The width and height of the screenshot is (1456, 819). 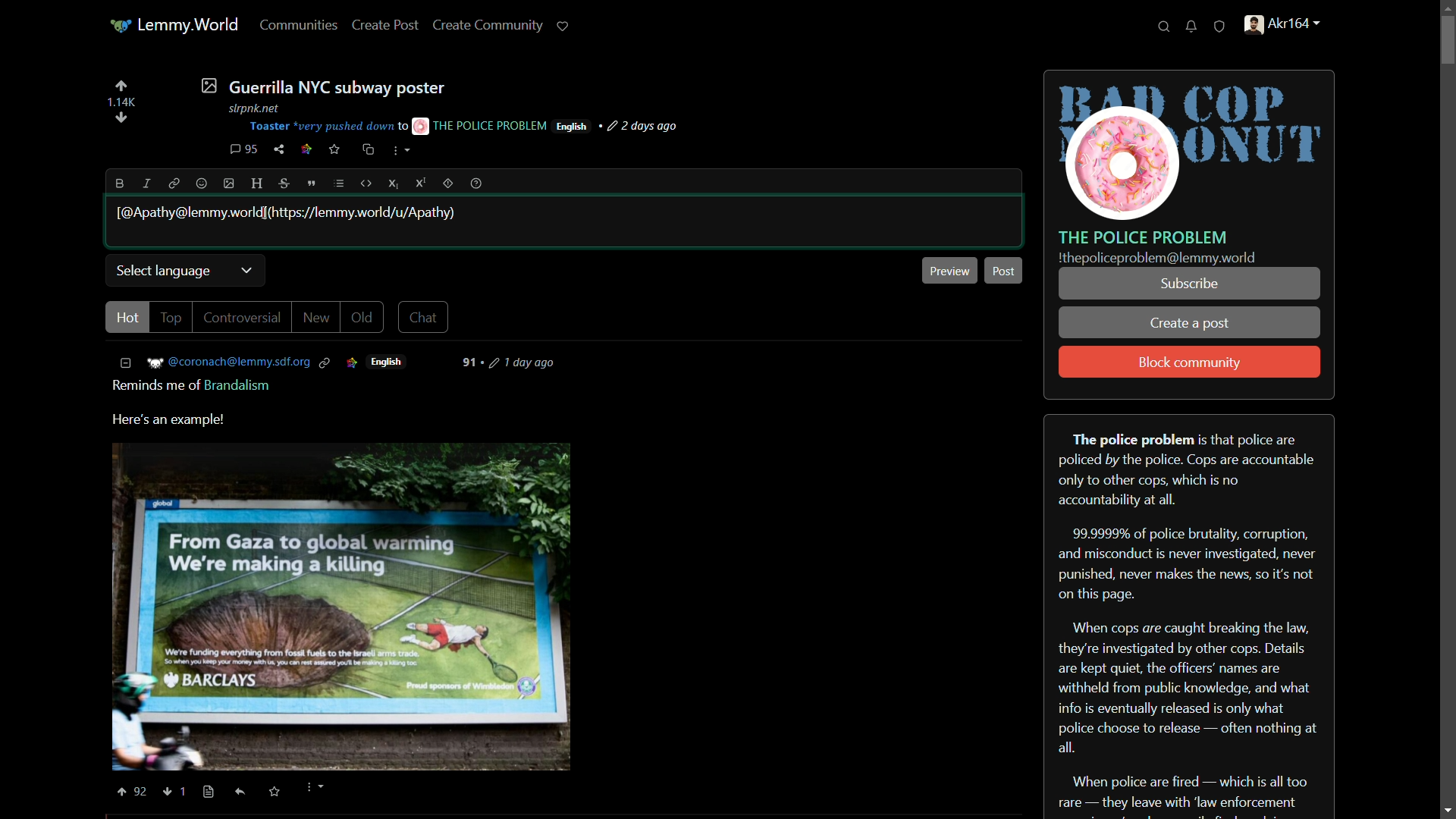 I want to click on stpnk net, so click(x=250, y=106).